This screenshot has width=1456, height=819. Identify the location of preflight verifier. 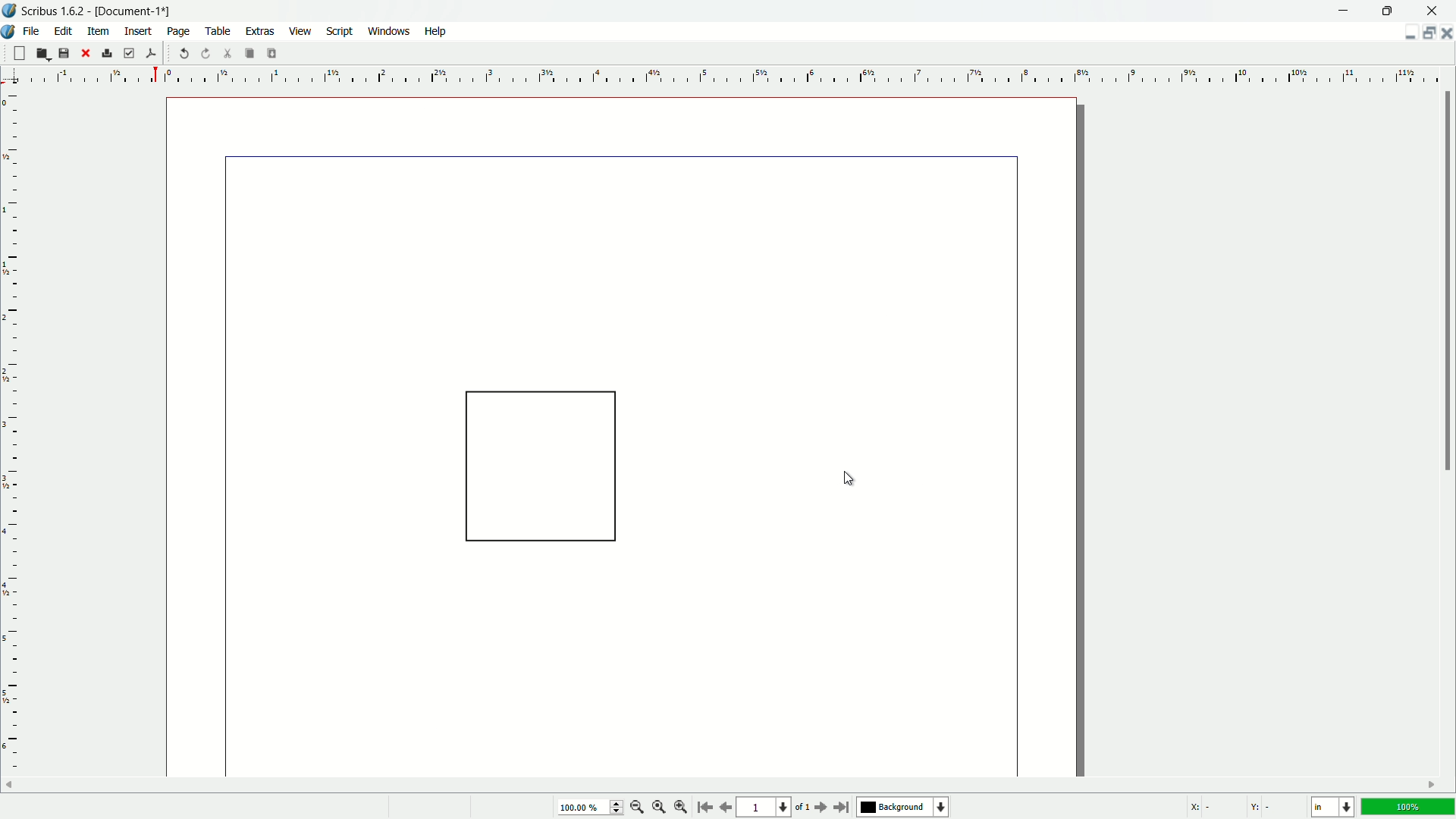
(130, 53).